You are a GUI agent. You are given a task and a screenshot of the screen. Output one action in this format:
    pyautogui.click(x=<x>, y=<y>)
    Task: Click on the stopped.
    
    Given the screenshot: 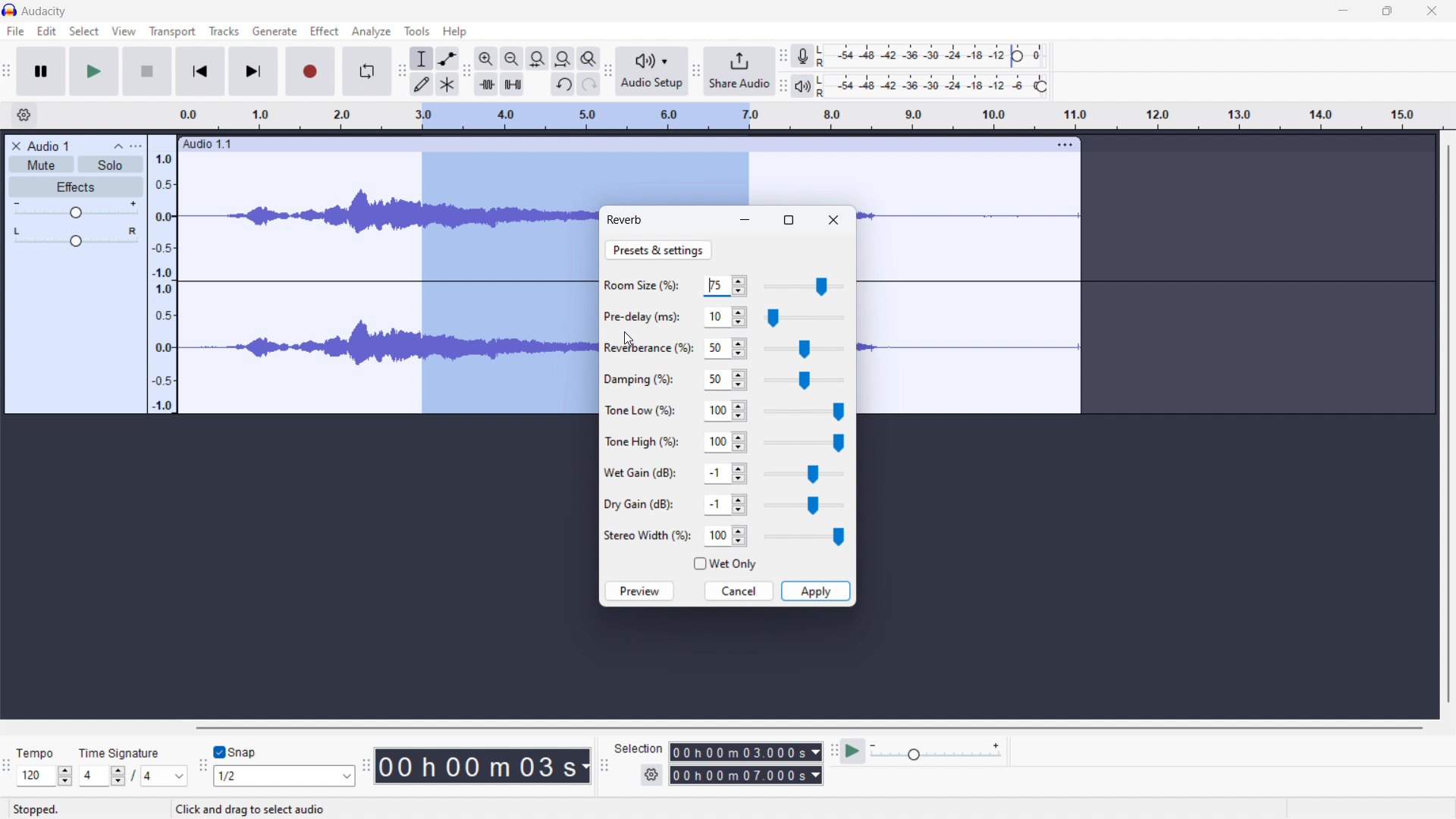 What is the action you would take?
    pyautogui.click(x=36, y=810)
    